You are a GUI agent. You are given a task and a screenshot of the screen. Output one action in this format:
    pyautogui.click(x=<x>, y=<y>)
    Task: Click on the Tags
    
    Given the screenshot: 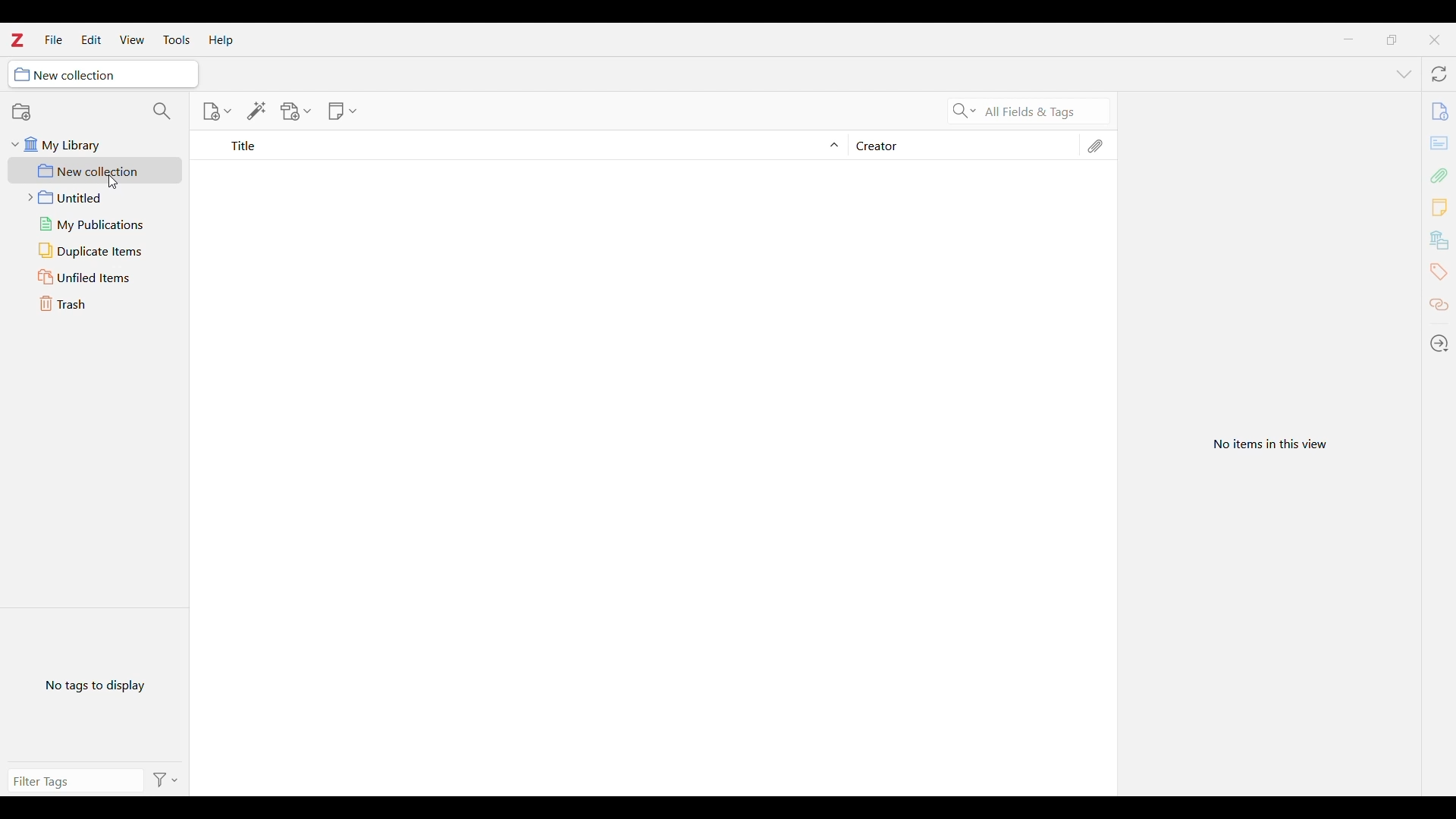 What is the action you would take?
    pyautogui.click(x=1438, y=272)
    